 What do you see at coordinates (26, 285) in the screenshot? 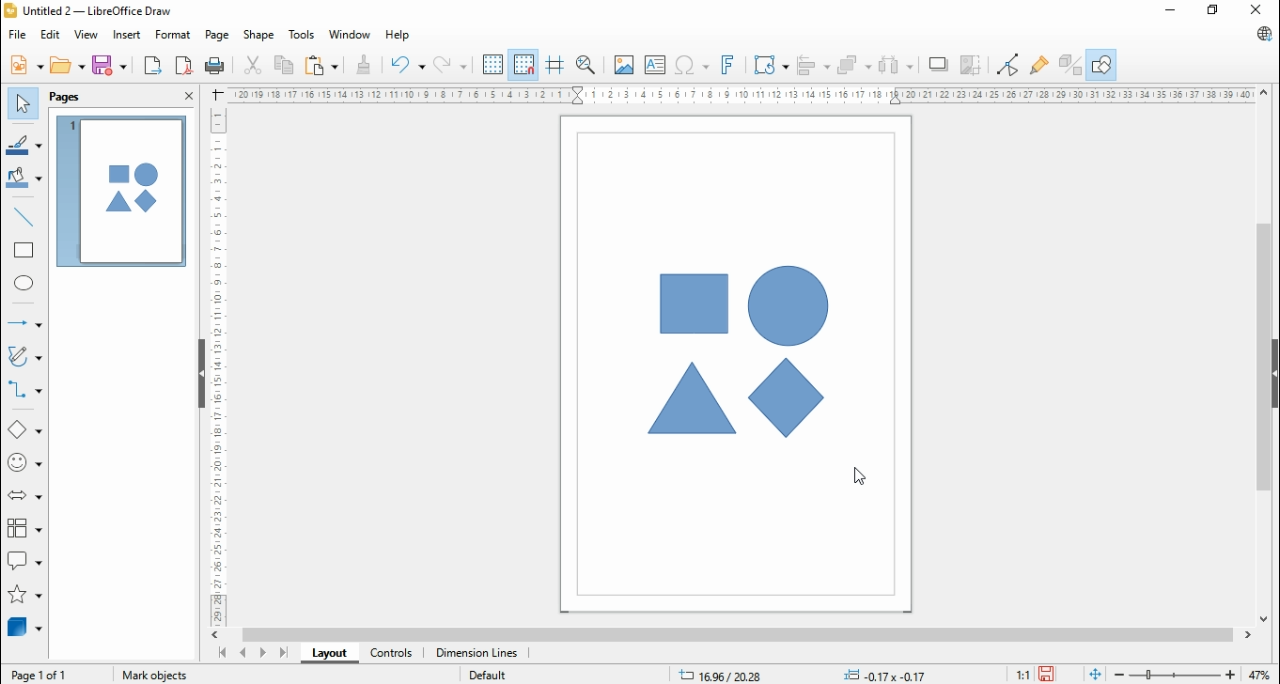
I see `ellipse` at bounding box center [26, 285].